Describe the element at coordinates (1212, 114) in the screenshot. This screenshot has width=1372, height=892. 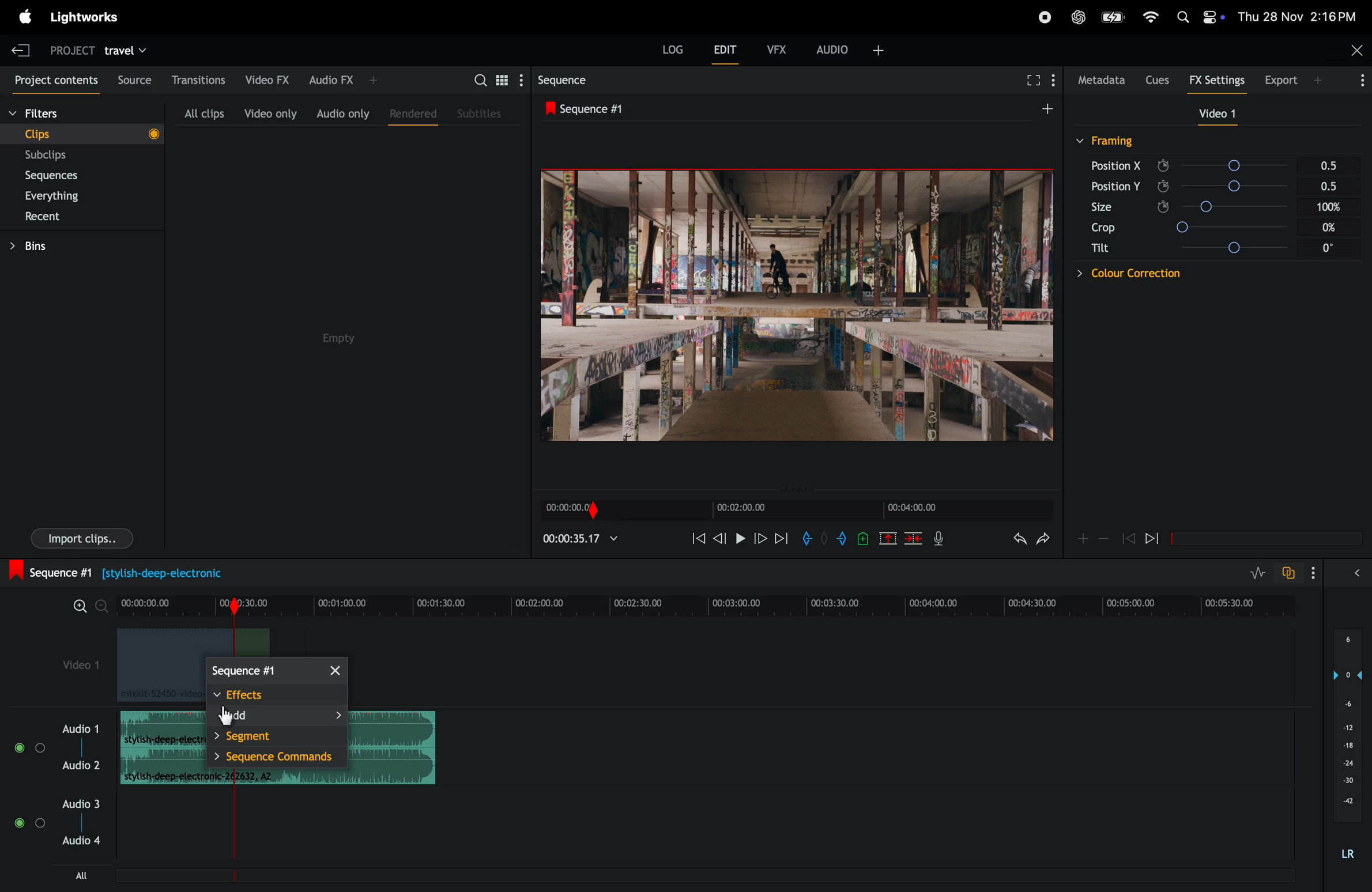
I see `video` at that location.